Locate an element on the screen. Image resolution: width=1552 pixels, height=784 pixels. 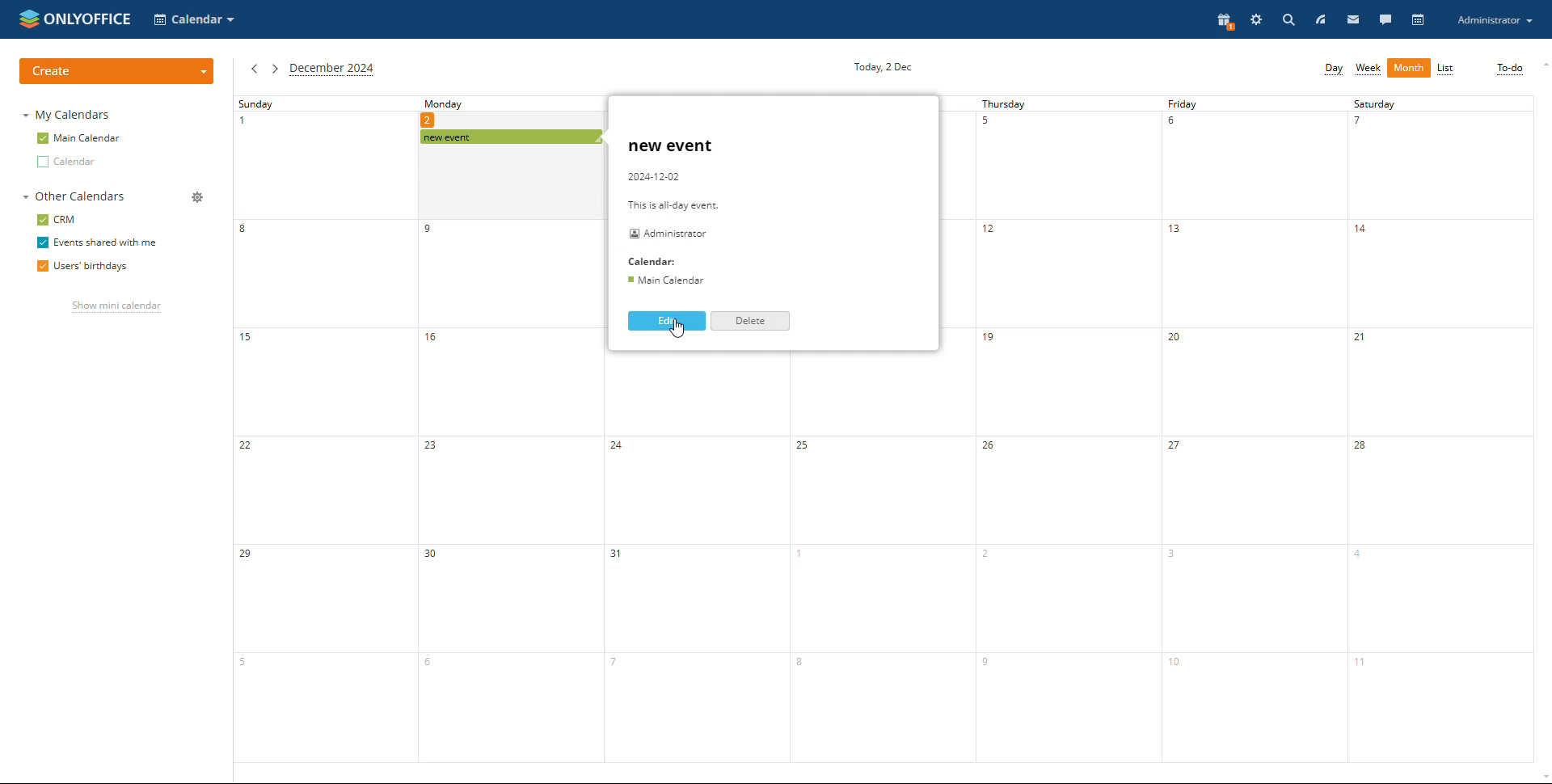
main calendar is located at coordinates (78, 138).